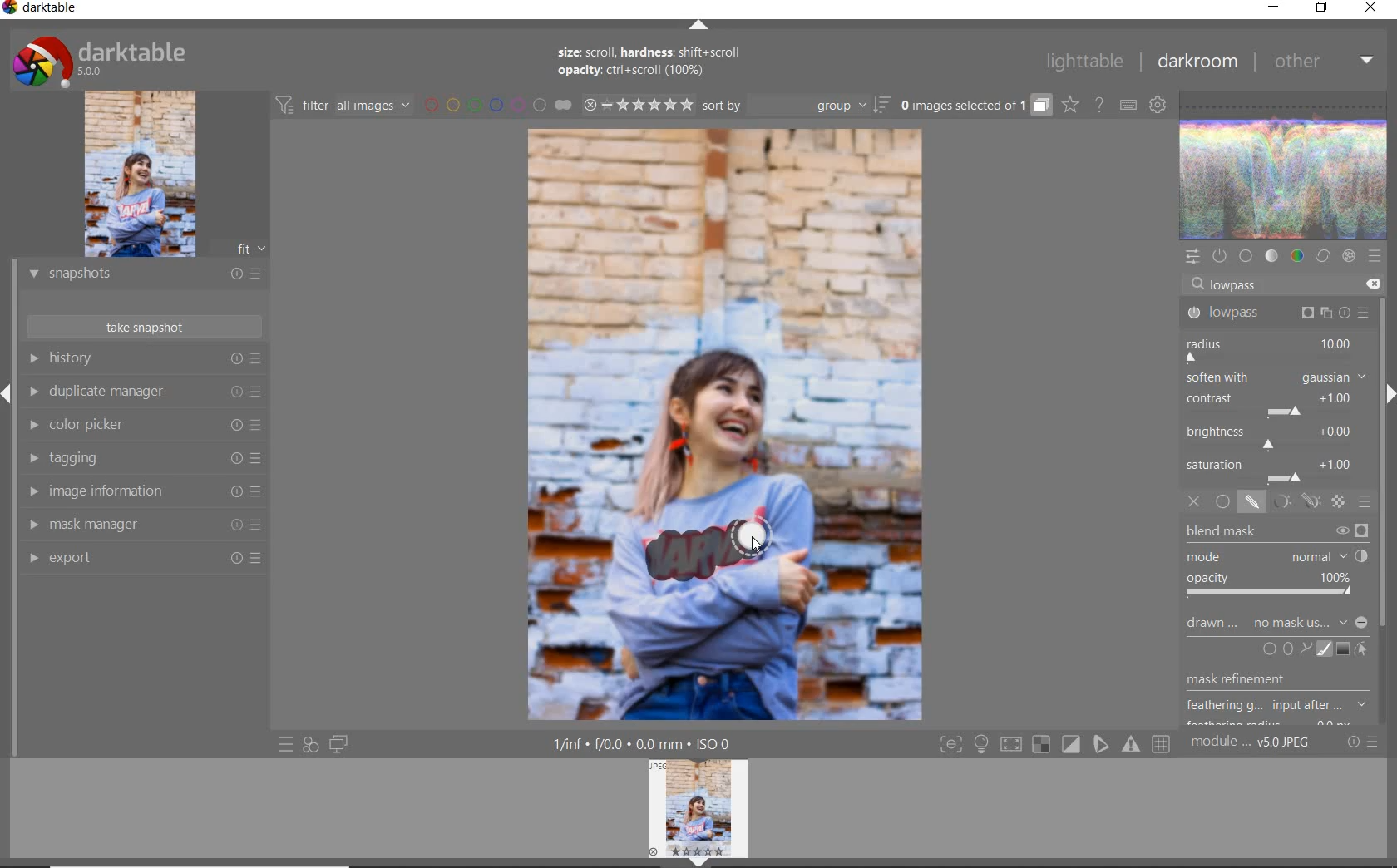 This screenshot has height=868, width=1397. I want to click on other, so click(1323, 65).